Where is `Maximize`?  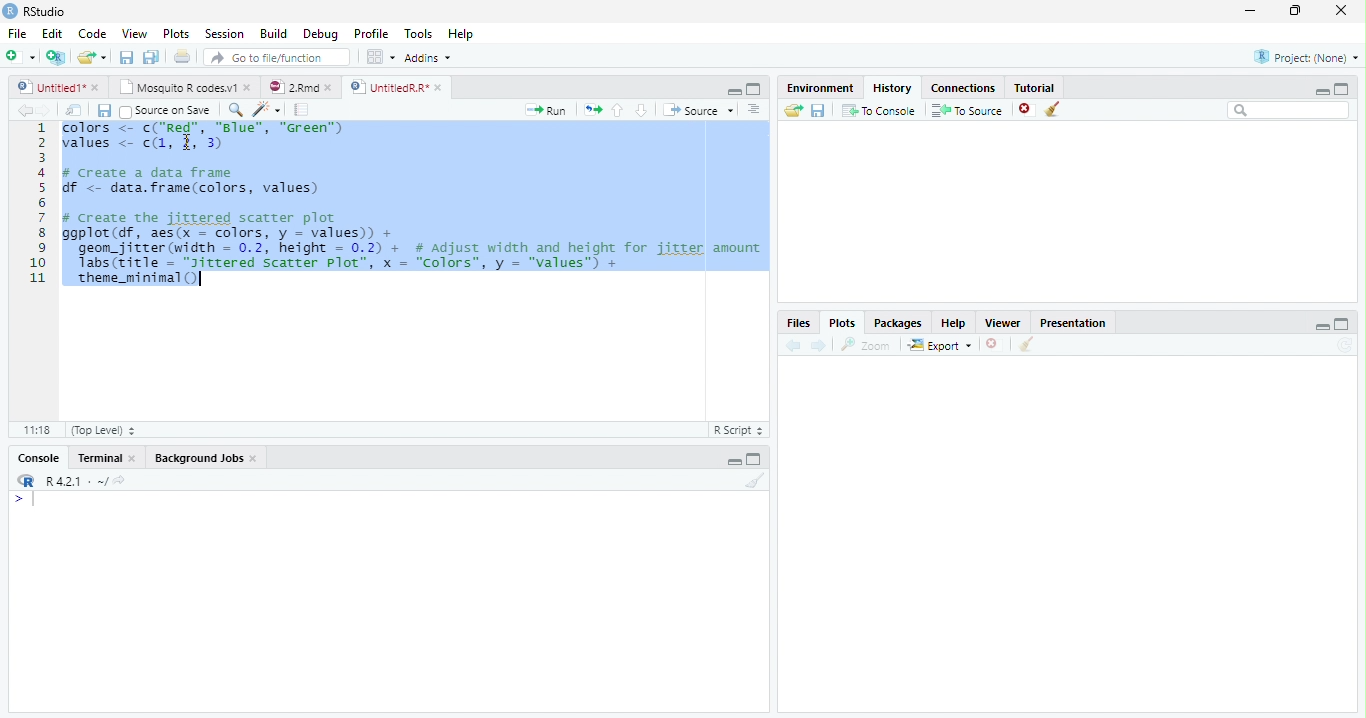 Maximize is located at coordinates (1342, 89).